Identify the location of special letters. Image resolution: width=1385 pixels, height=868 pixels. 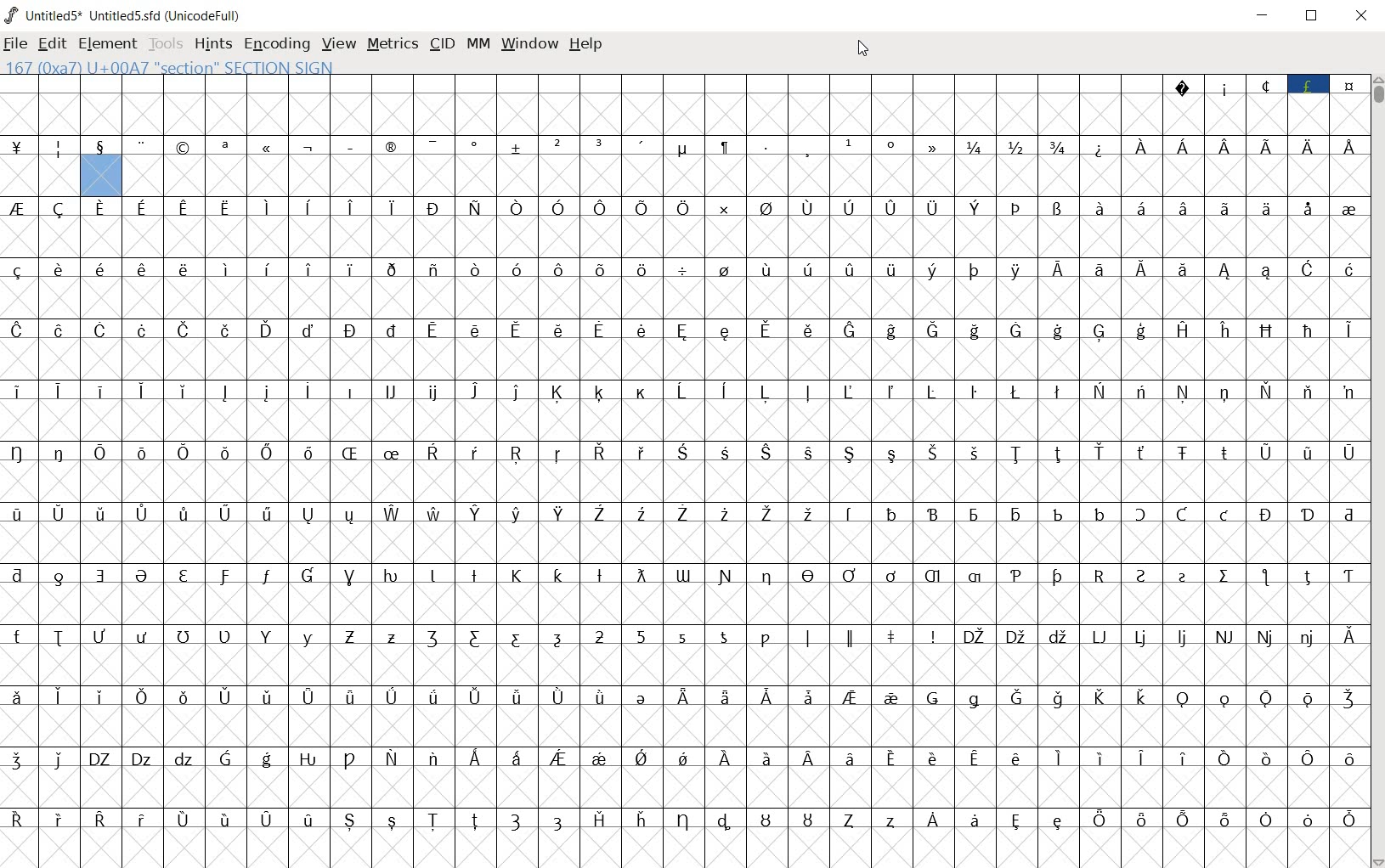
(690, 206).